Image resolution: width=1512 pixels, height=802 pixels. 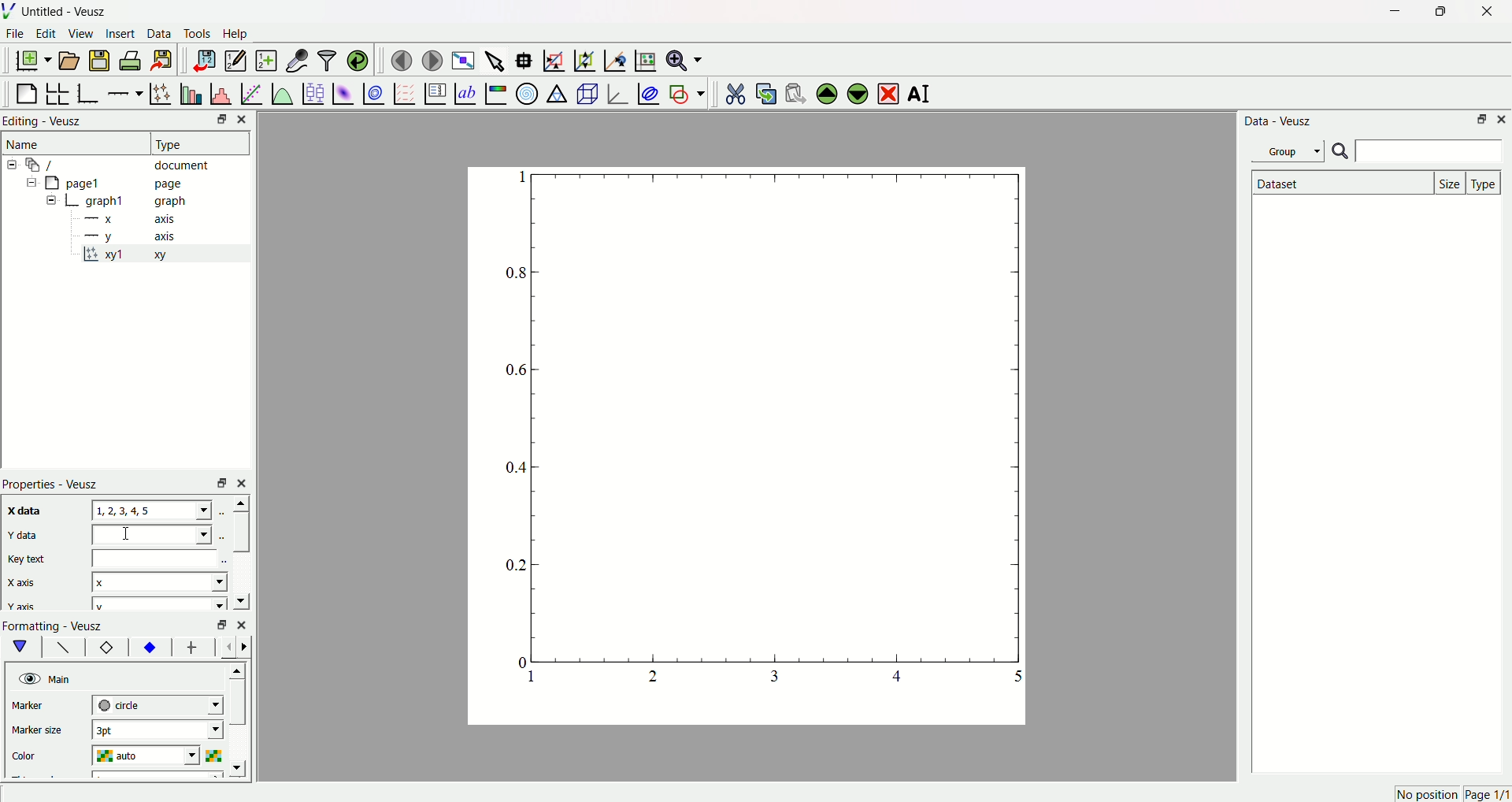 I want to click on move  the widgets down, so click(x=855, y=93).